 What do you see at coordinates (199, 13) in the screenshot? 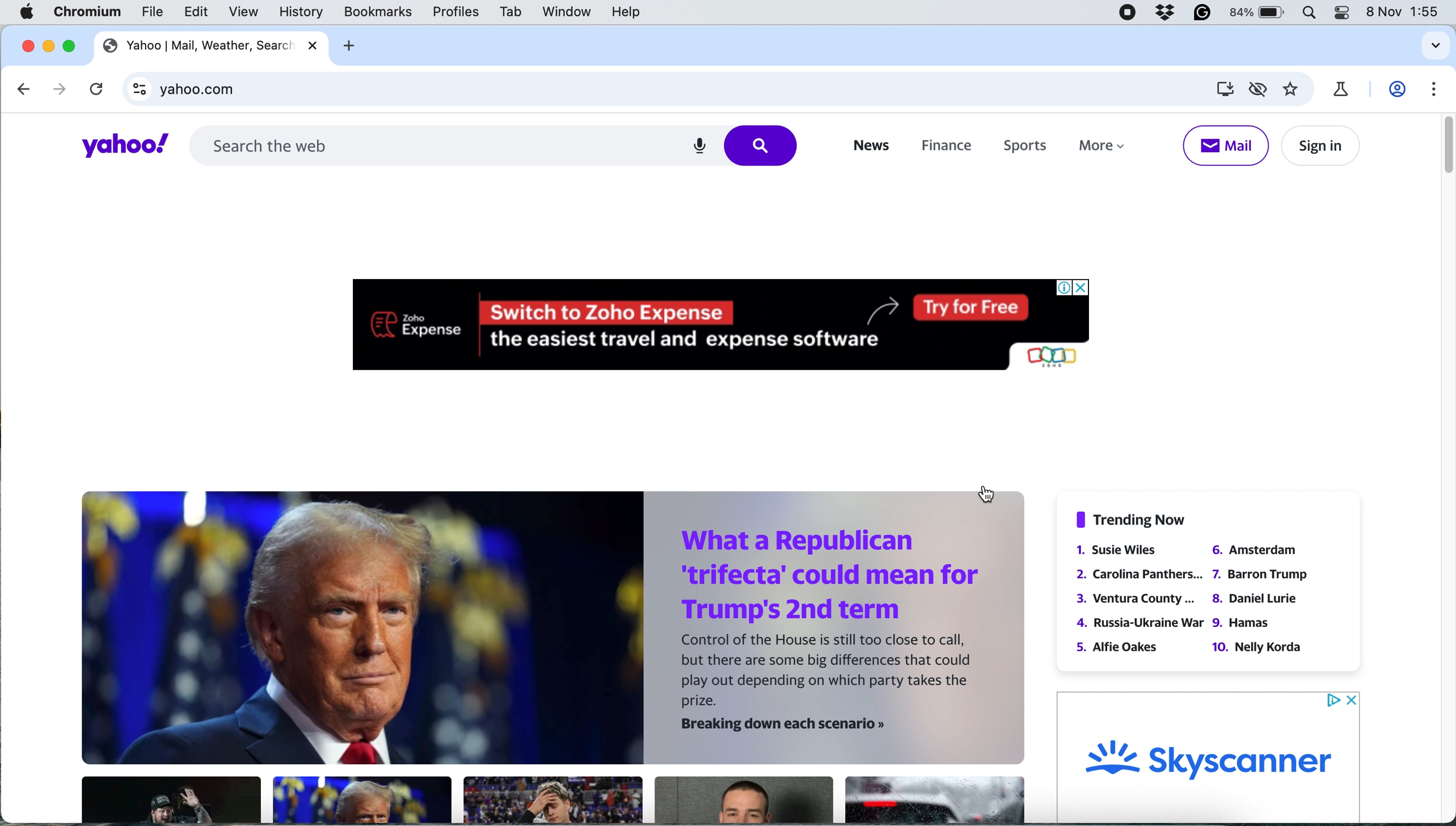
I see `edit` at bounding box center [199, 13].